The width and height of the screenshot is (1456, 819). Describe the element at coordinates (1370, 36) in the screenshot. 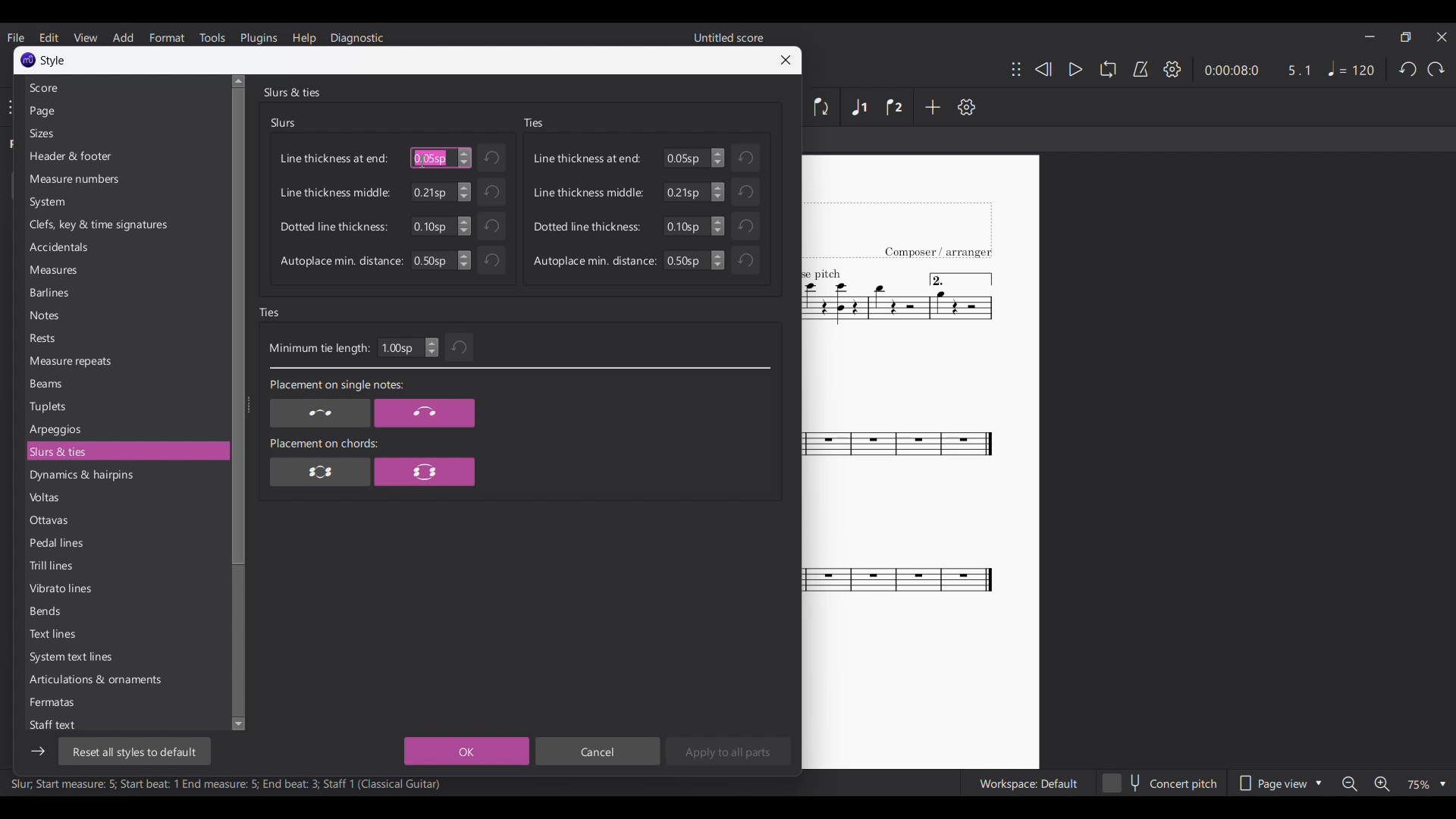

I see `Minimize` at that location.